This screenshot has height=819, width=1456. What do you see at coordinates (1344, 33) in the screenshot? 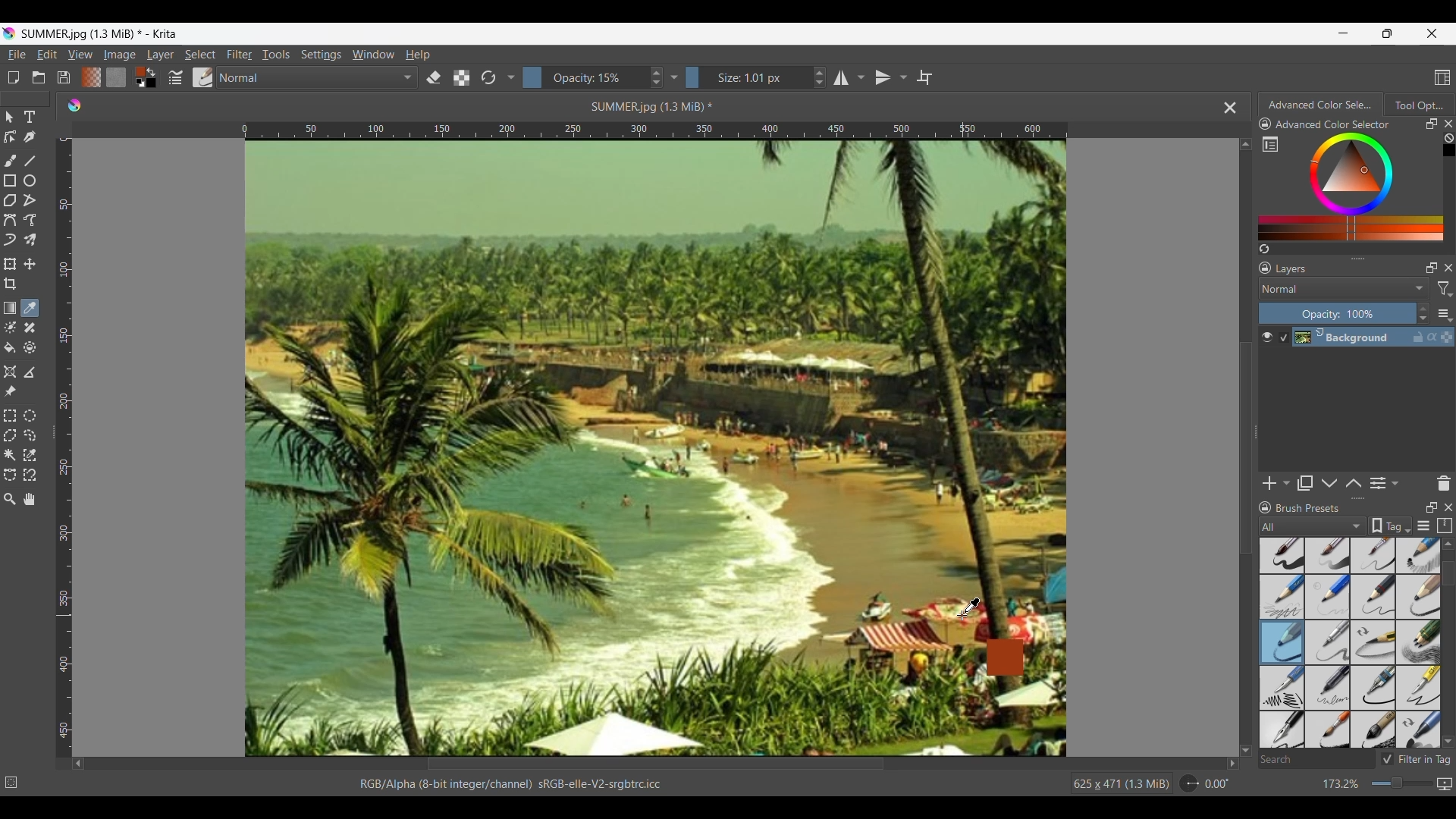
I see `Minimize` at bounding box center [1344, 33].